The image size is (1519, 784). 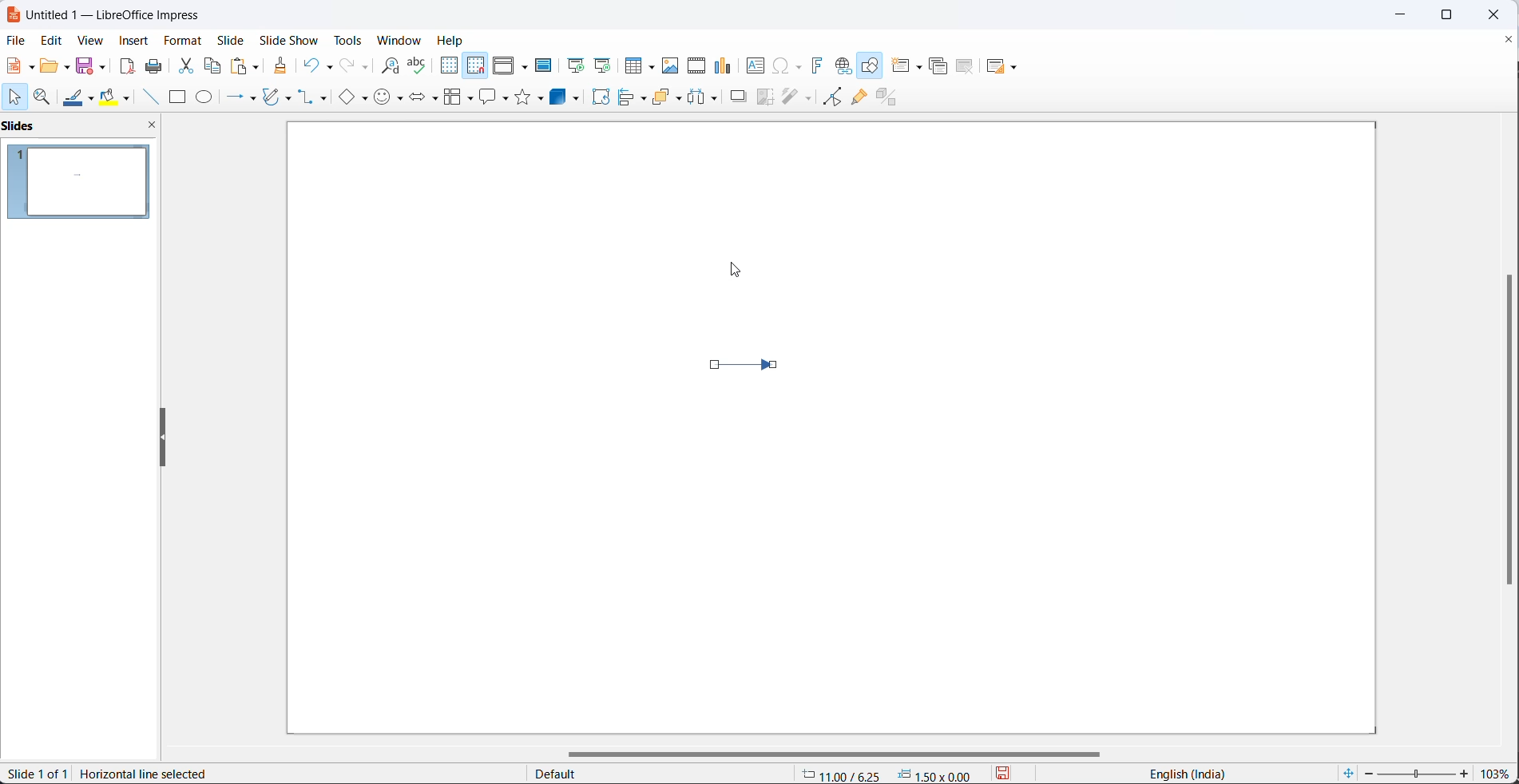 What do you see at coordinates (449, 68) in the screenshot?
I see `display grid` at bounding box center [449, 68].